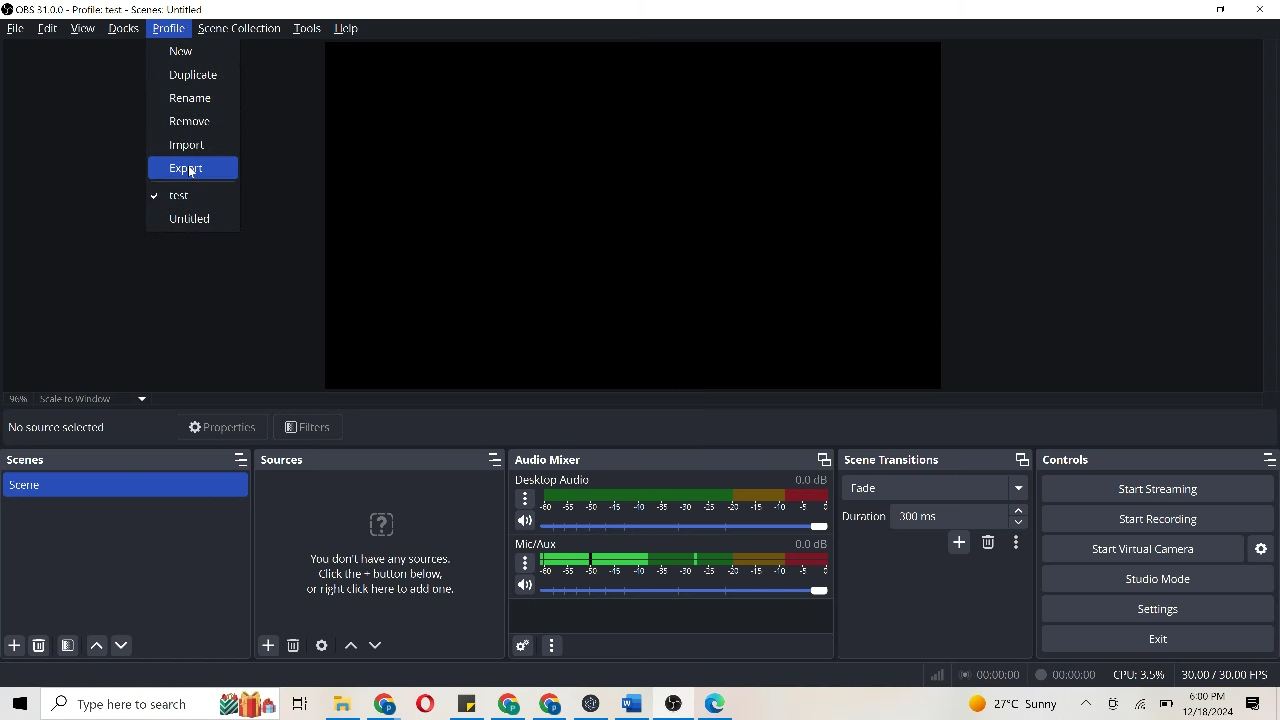  I want to click on maximize, so click(237, 459).